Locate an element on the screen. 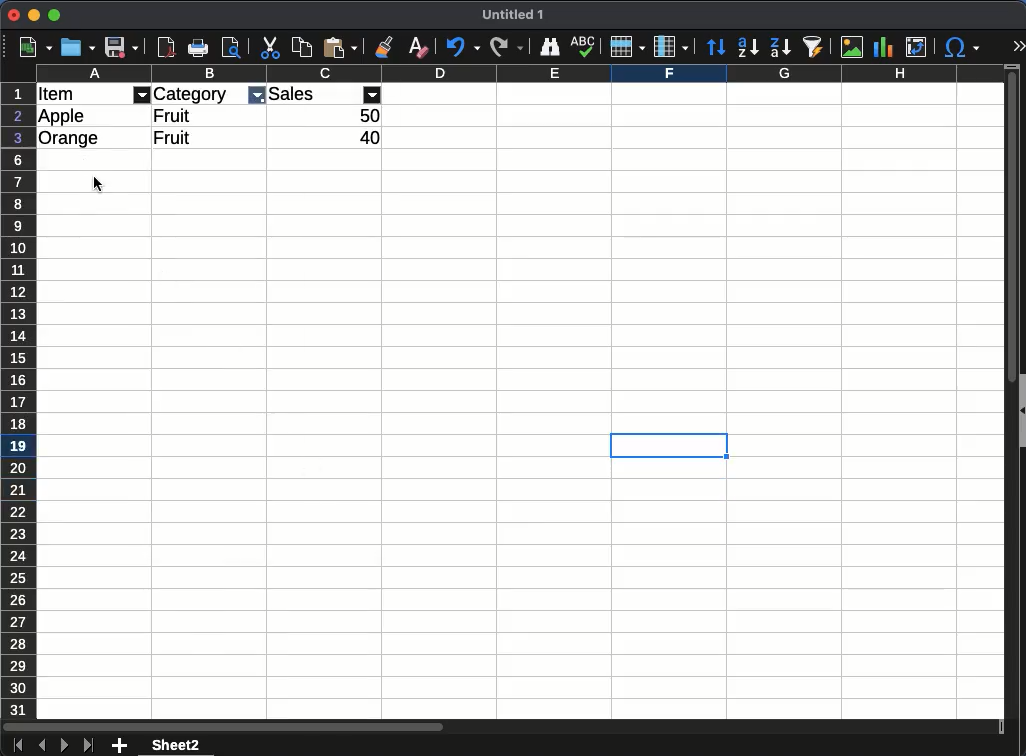  Category is located at coordinates (192, 94).